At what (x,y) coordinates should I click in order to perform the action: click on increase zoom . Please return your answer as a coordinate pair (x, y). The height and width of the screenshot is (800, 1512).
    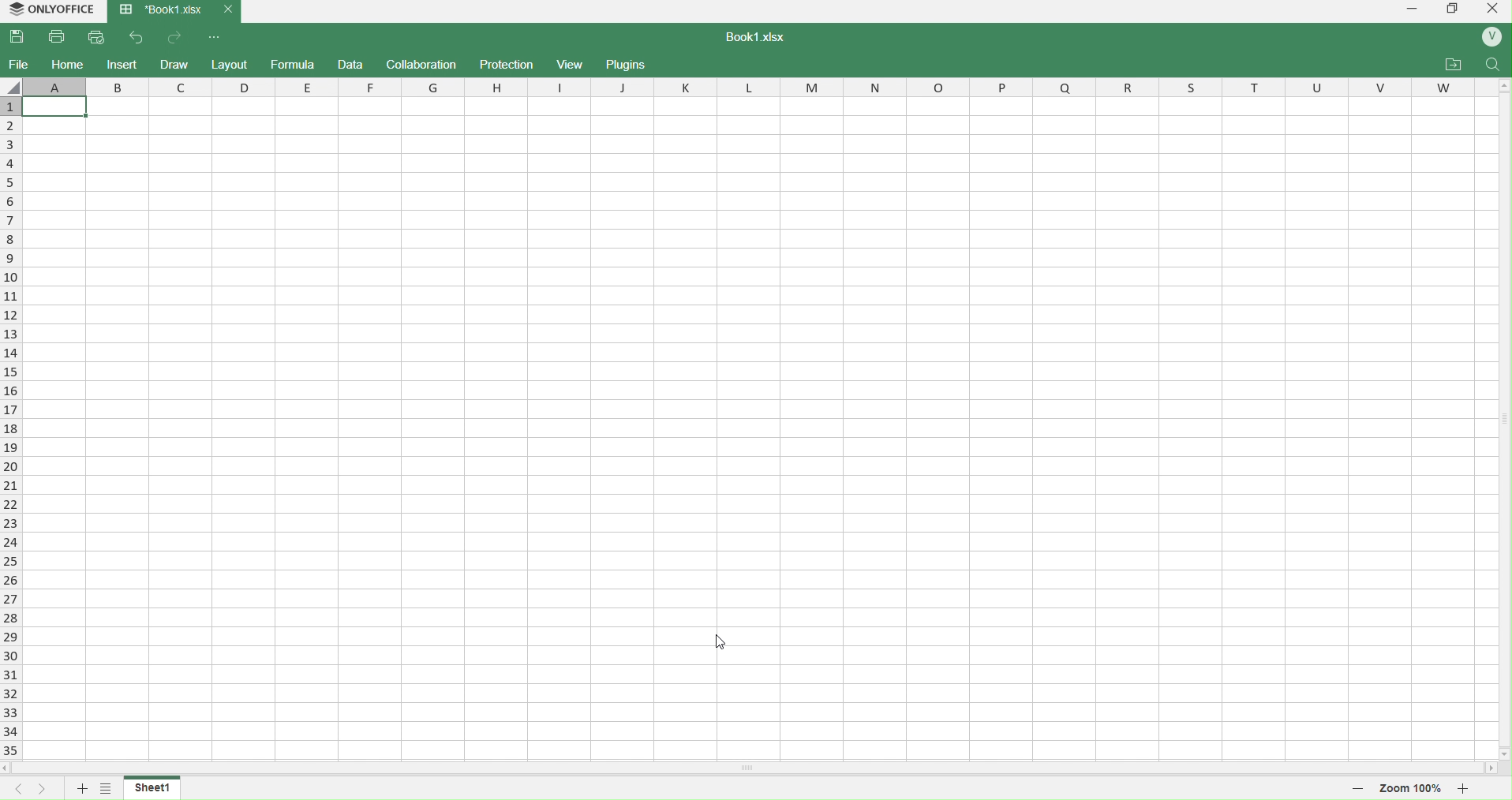
    Looking at the image, I should click on (1466, 787).